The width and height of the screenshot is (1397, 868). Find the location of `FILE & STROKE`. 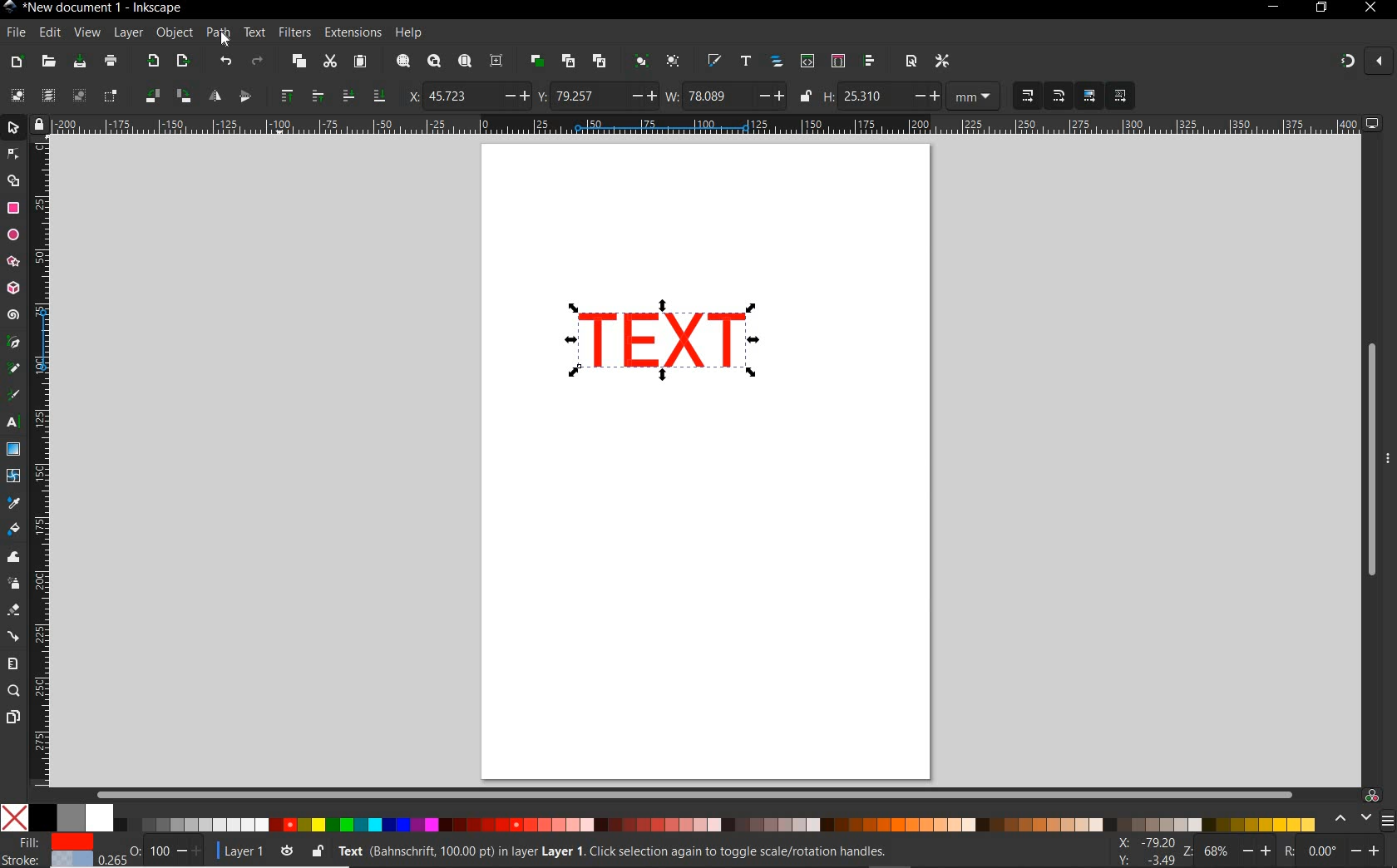

FILE & STROKE is located at coordinates (47, 851).